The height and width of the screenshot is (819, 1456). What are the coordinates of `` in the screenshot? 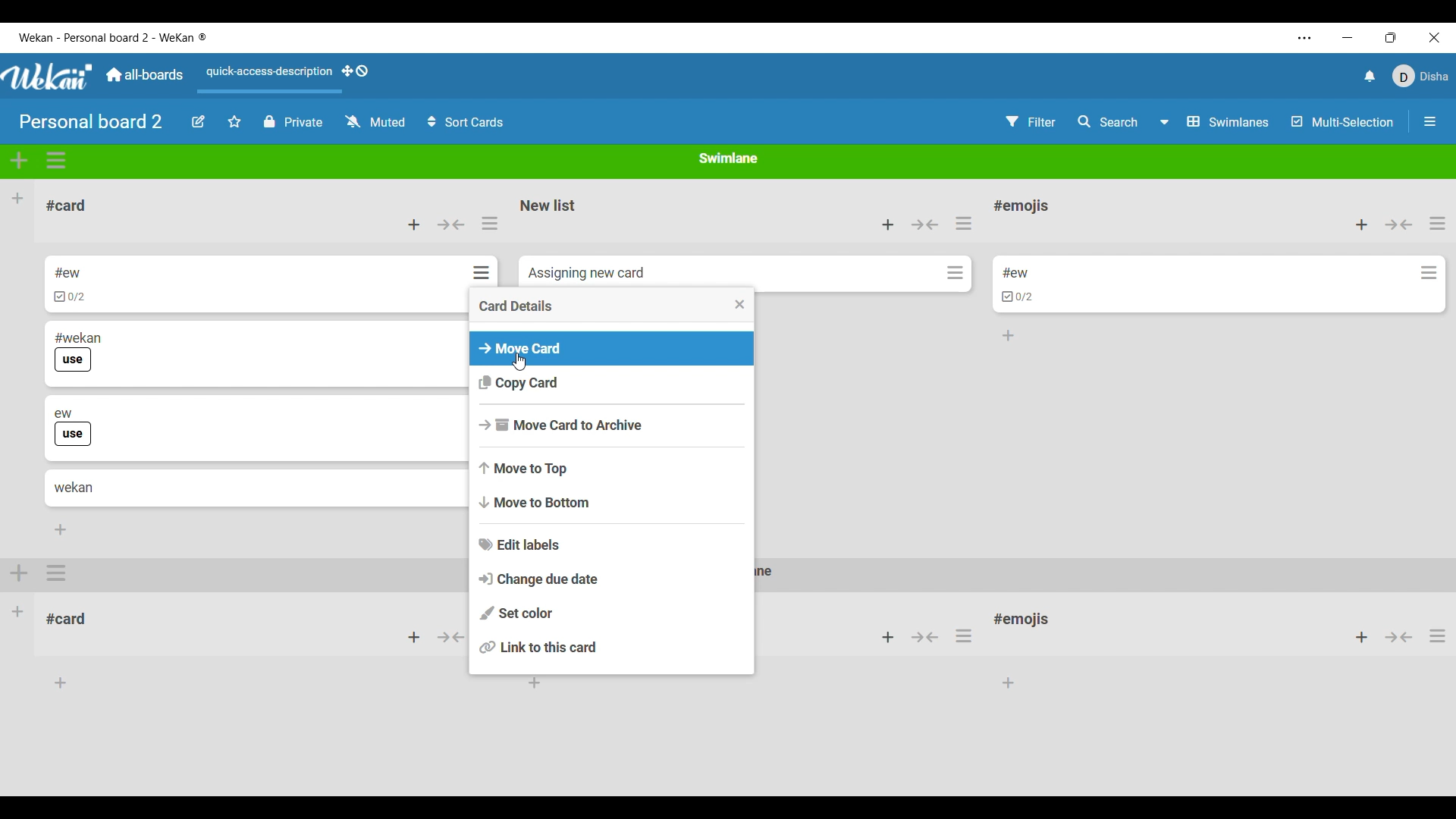 It's located at (1400, 639).